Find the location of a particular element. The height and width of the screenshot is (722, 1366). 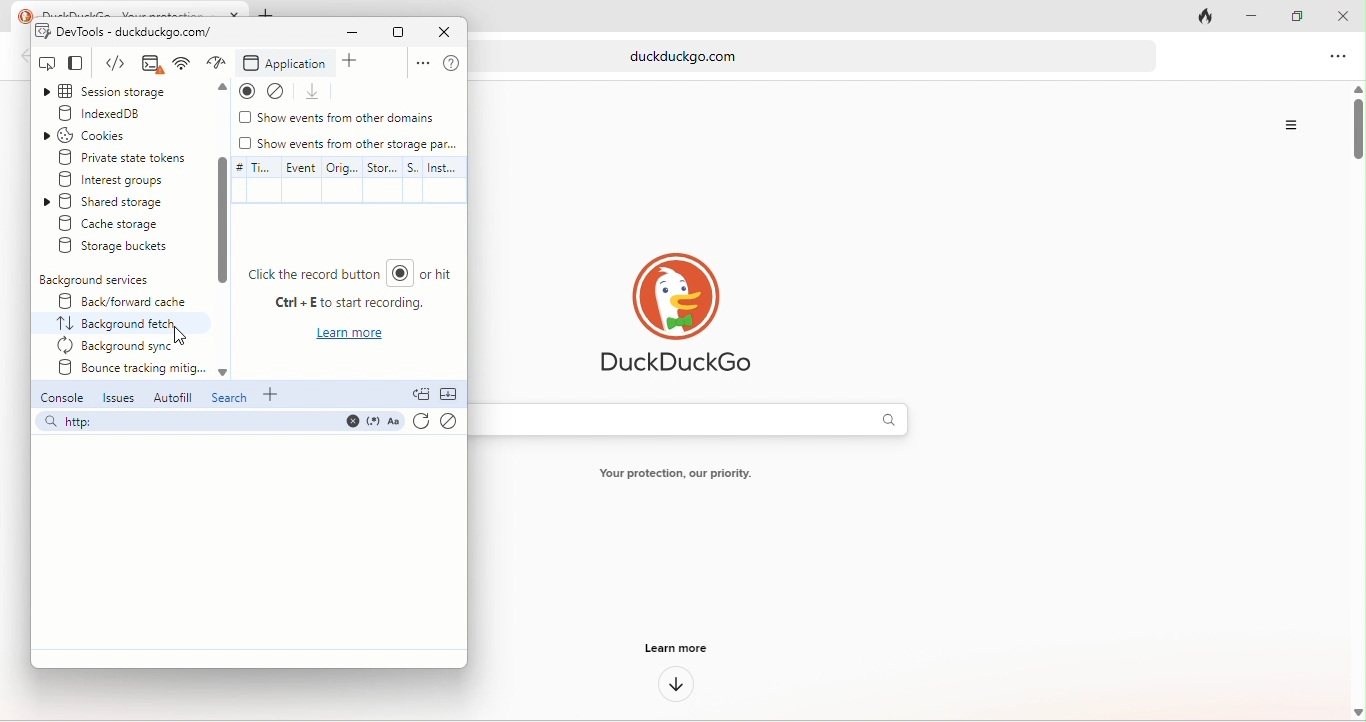

clear is located at coordinates (282, 90).